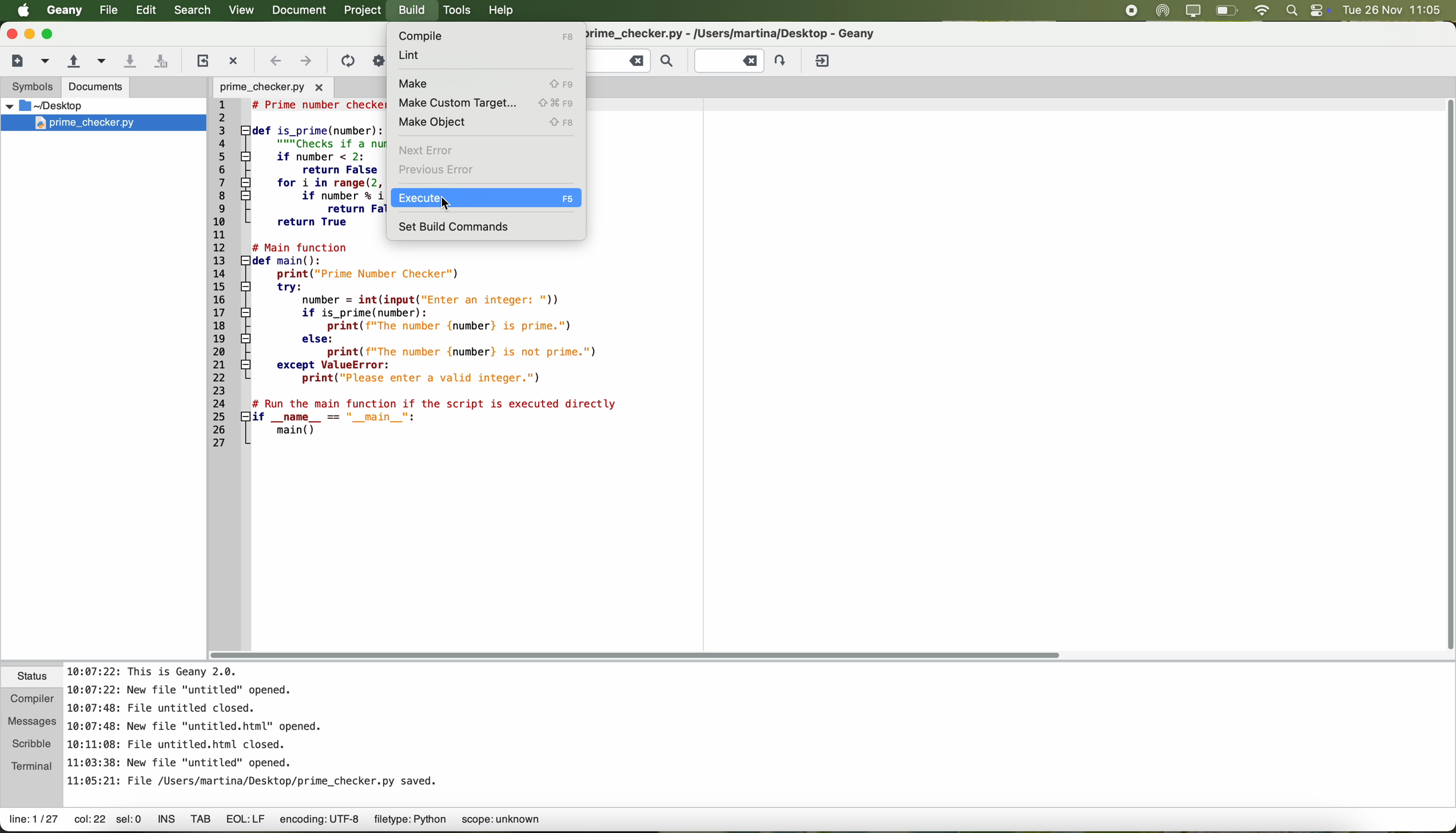  I want to click on navigate foward, so click(307, 63).